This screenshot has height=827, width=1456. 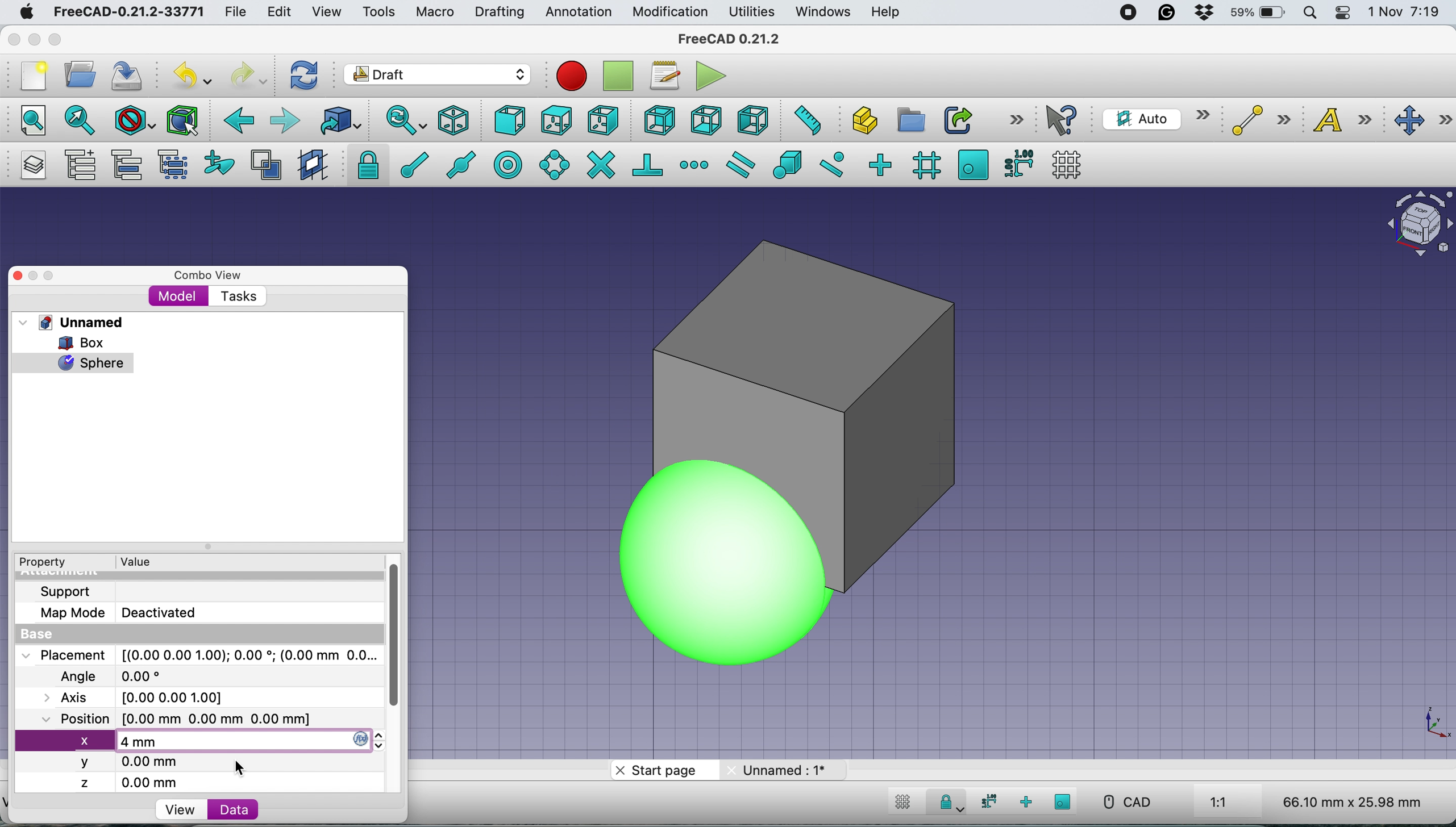 What do you see at coordinates (973, 164) in the screenshot?
I see `snap working plane` at bounding box center [973, 164].